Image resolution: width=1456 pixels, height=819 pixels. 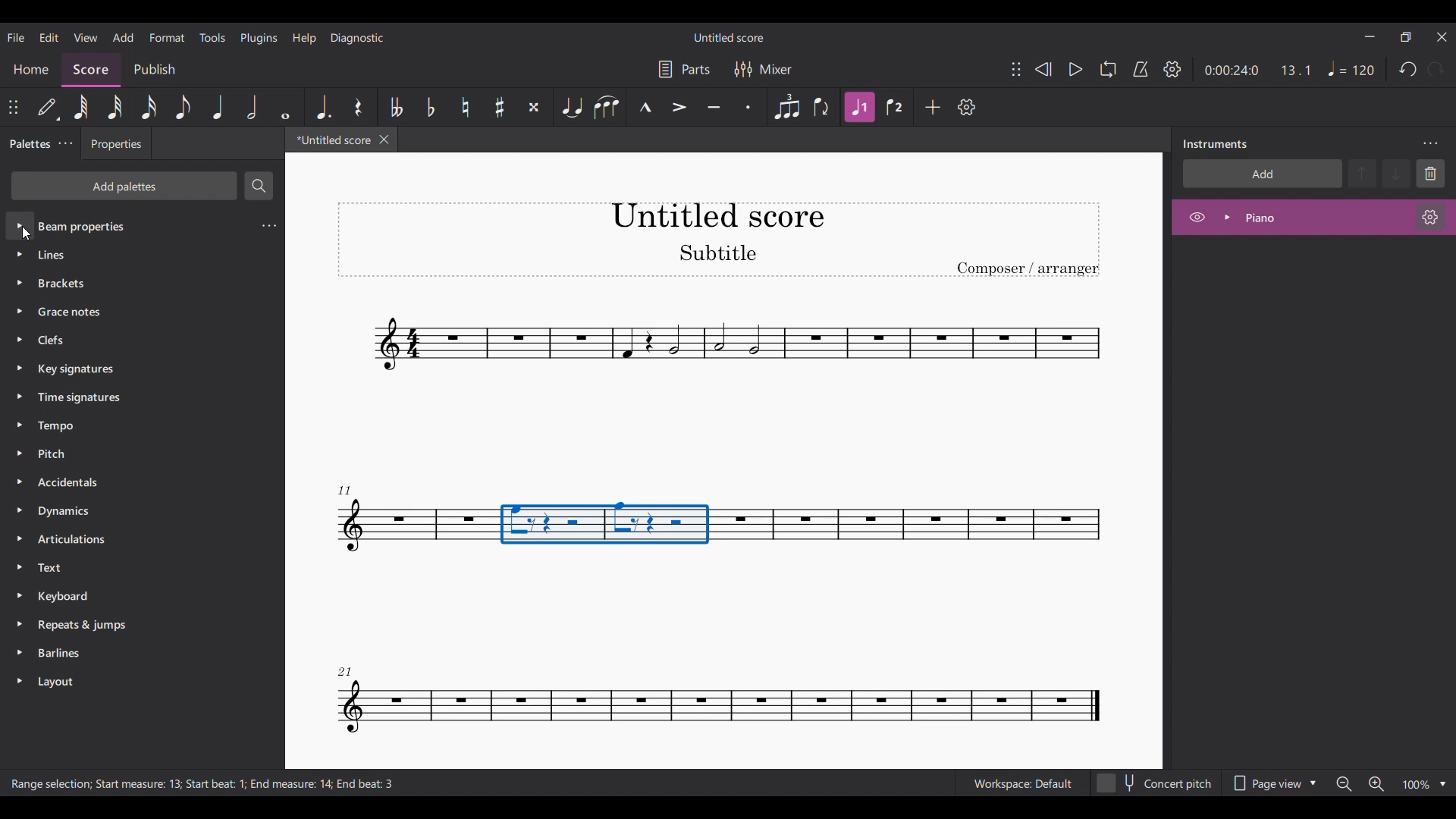 I want to click on Piano, so click(x=1301, y=217).